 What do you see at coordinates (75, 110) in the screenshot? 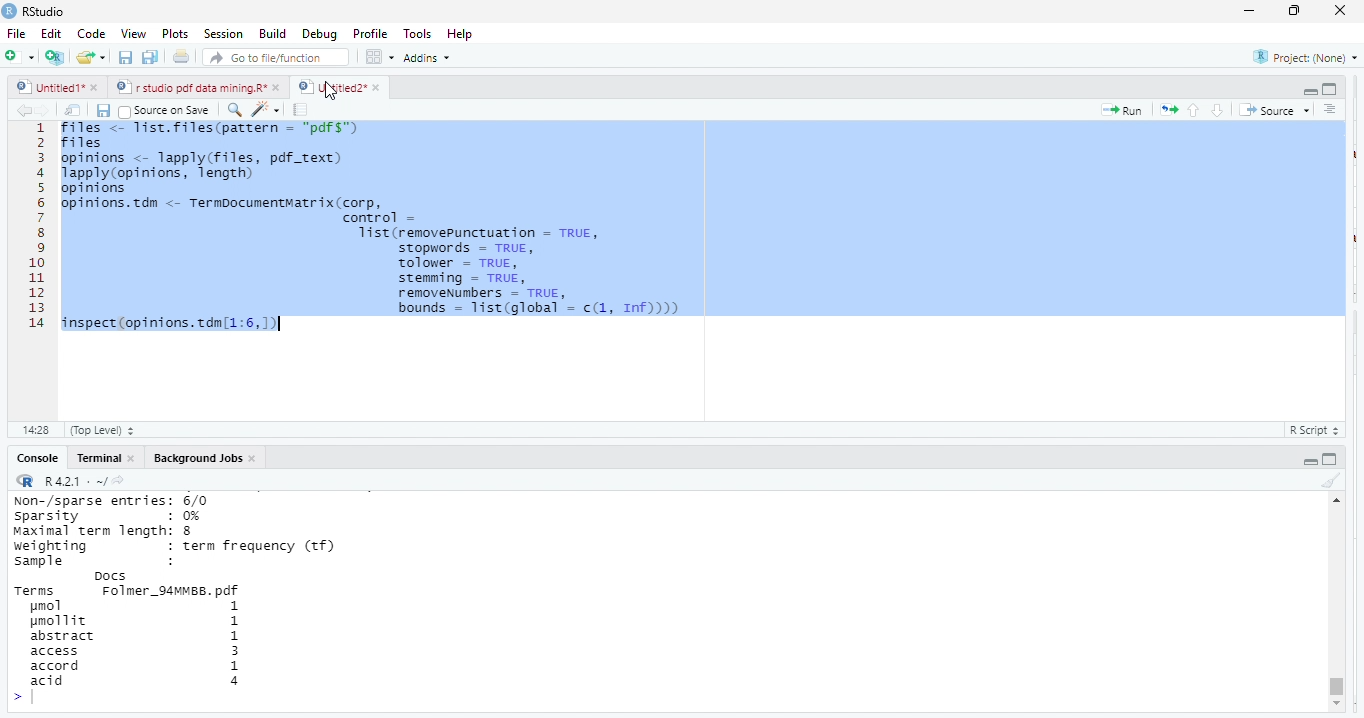
I see `show in new window` at bounding box center [75, 110].